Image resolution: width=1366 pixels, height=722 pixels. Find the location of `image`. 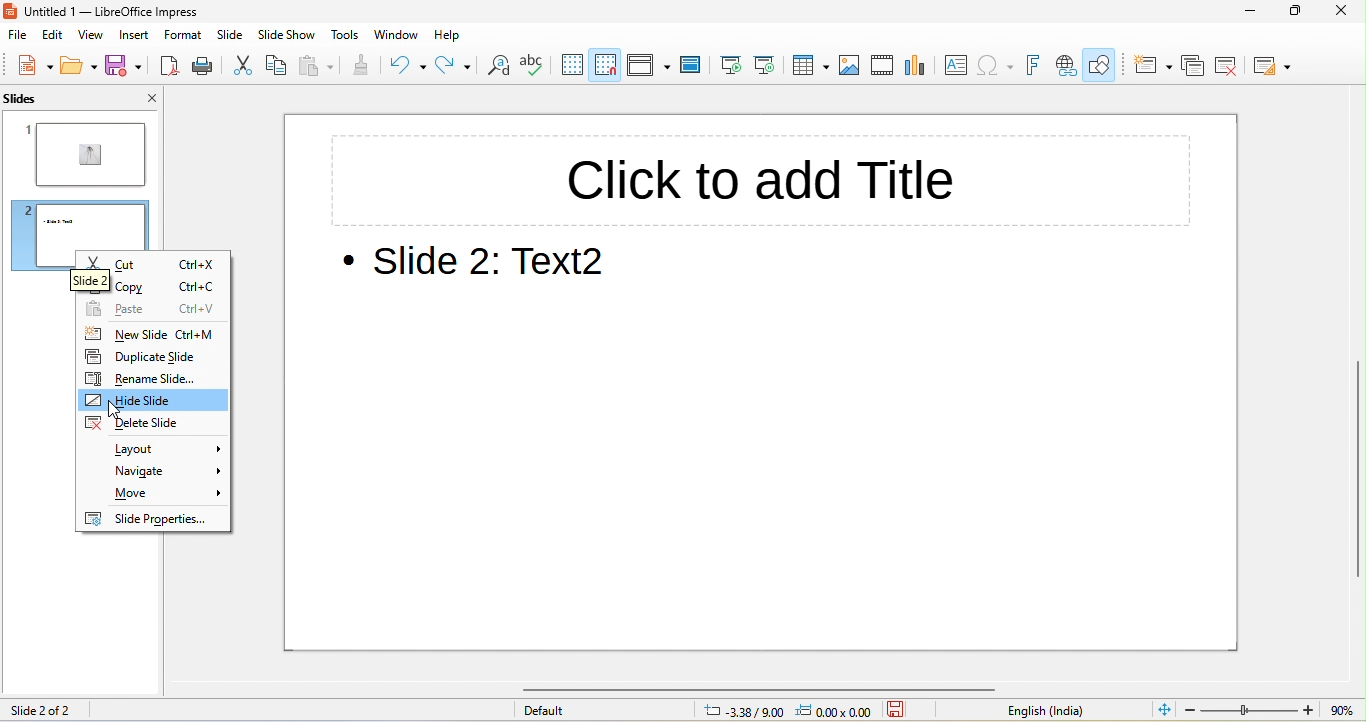

image is located at coordinates (853, 65).